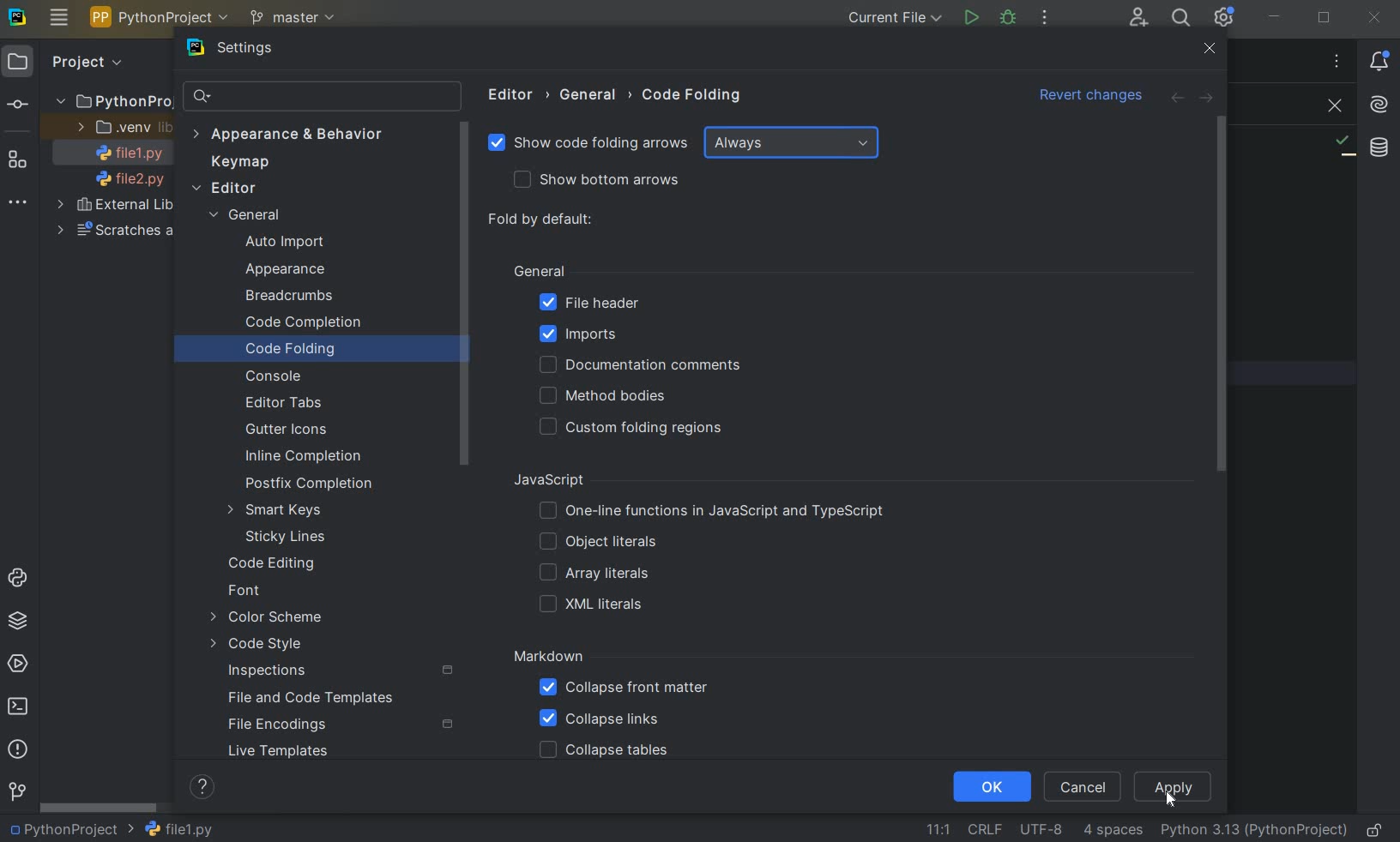 This screenshot has height=842, width=1400. I want to click on RUN, so click(970, 17).